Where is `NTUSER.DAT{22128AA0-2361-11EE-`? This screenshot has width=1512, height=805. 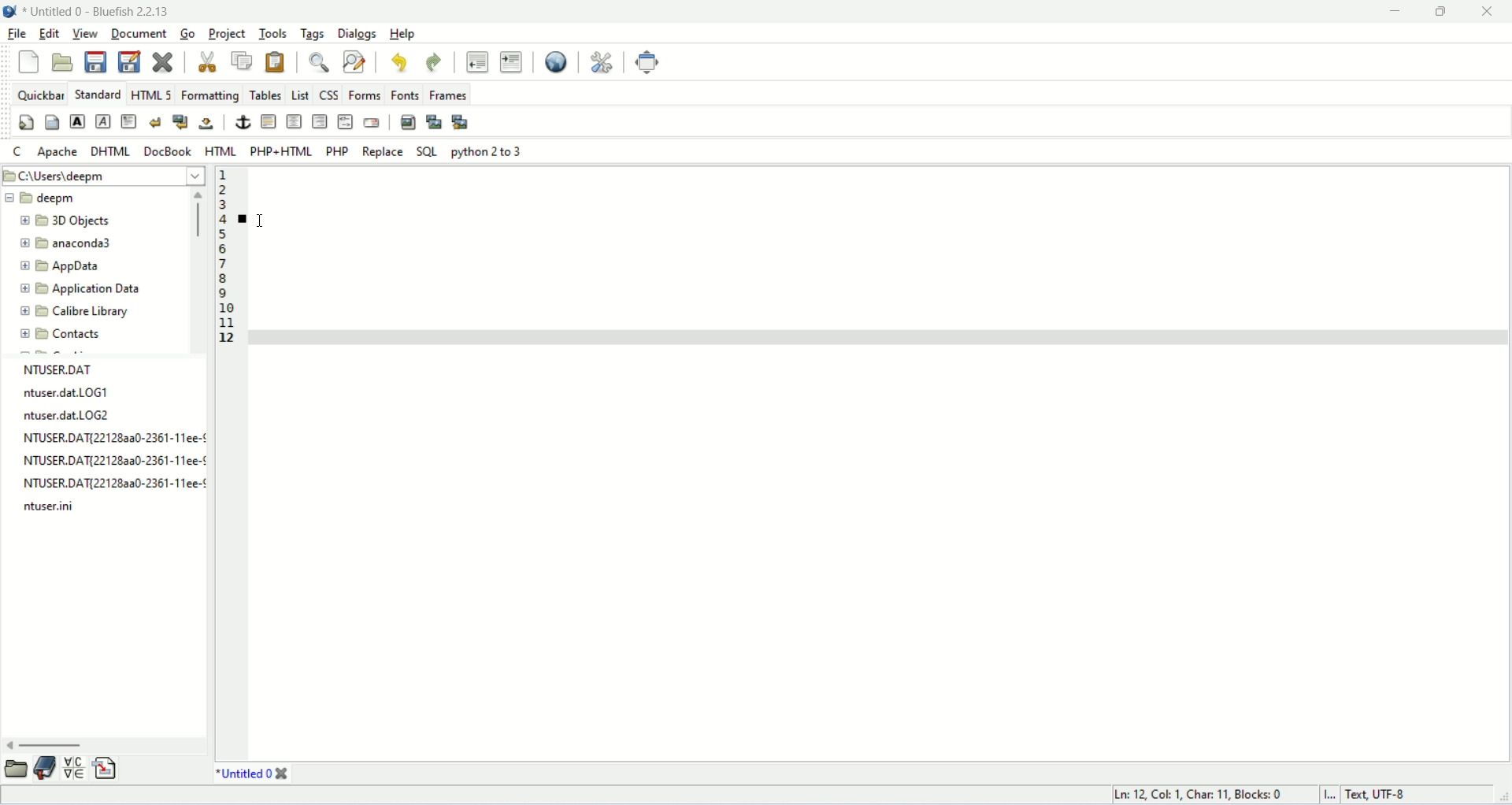 NTUSER.DAT{22128AA0-2361-11EE- is located at coordinates (118, 439).